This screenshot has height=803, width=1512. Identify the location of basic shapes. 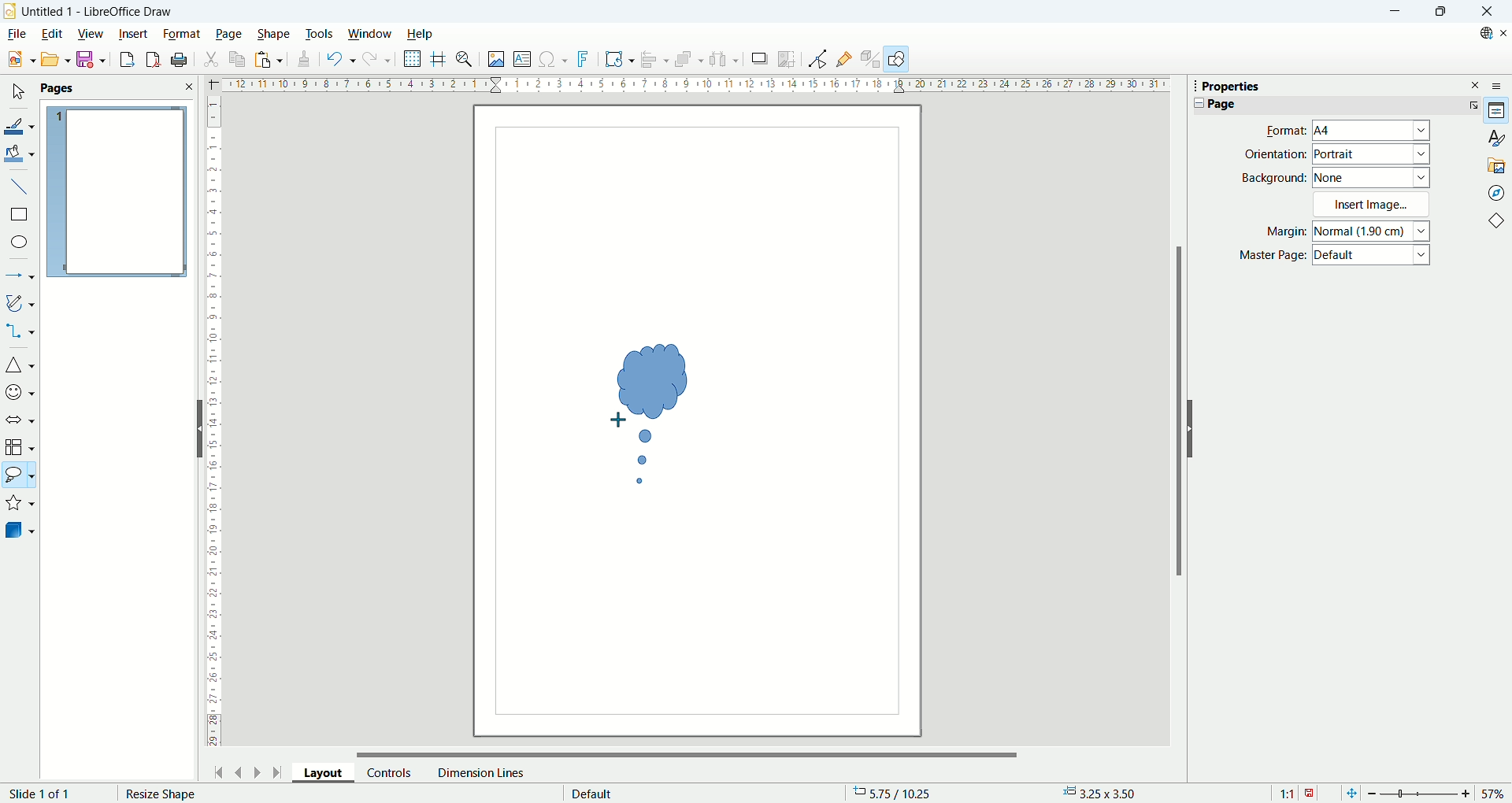
(20, 367).